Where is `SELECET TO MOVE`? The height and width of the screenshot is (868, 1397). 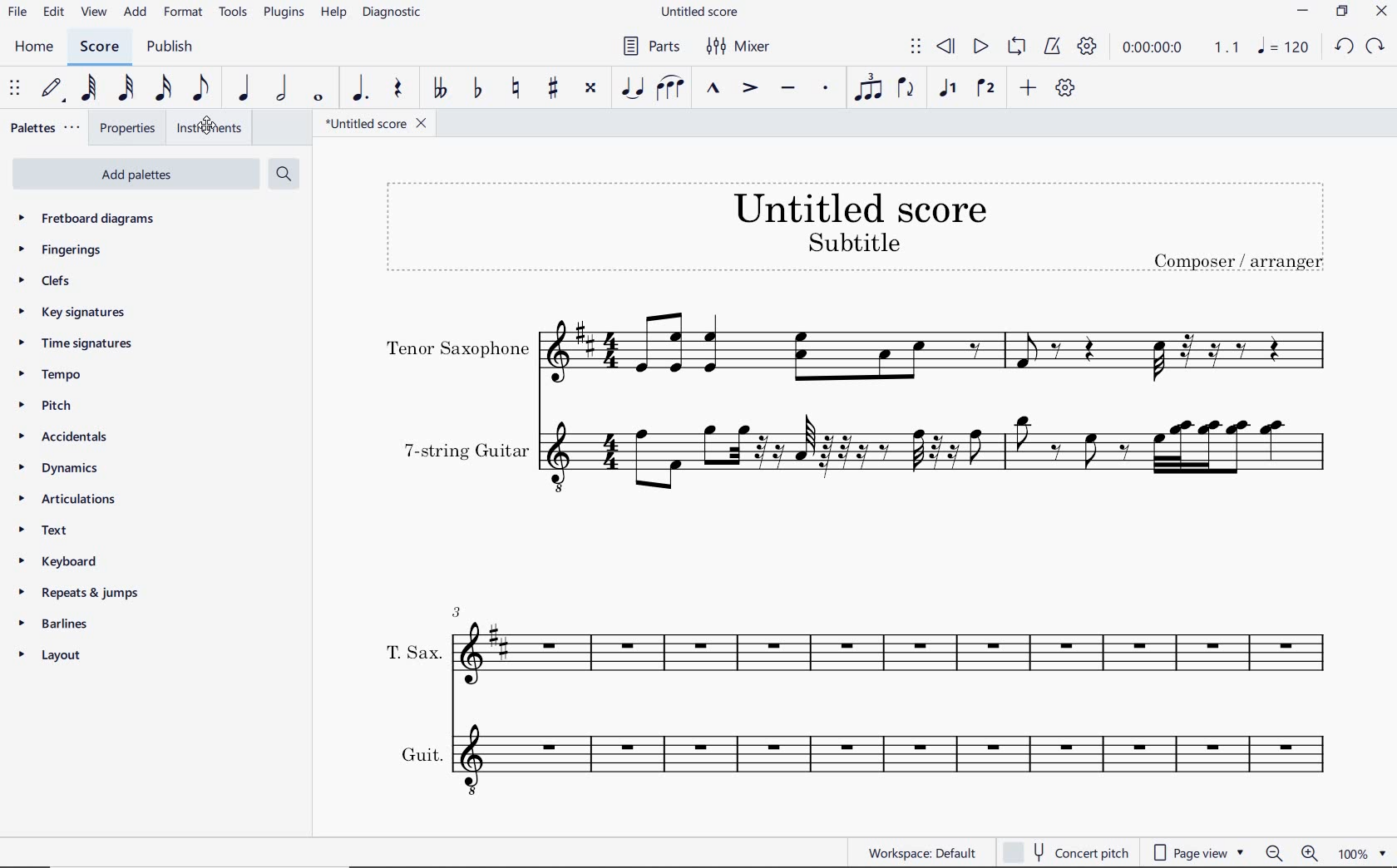
SELECET TO MOVE is located at coordinates (15, 89).